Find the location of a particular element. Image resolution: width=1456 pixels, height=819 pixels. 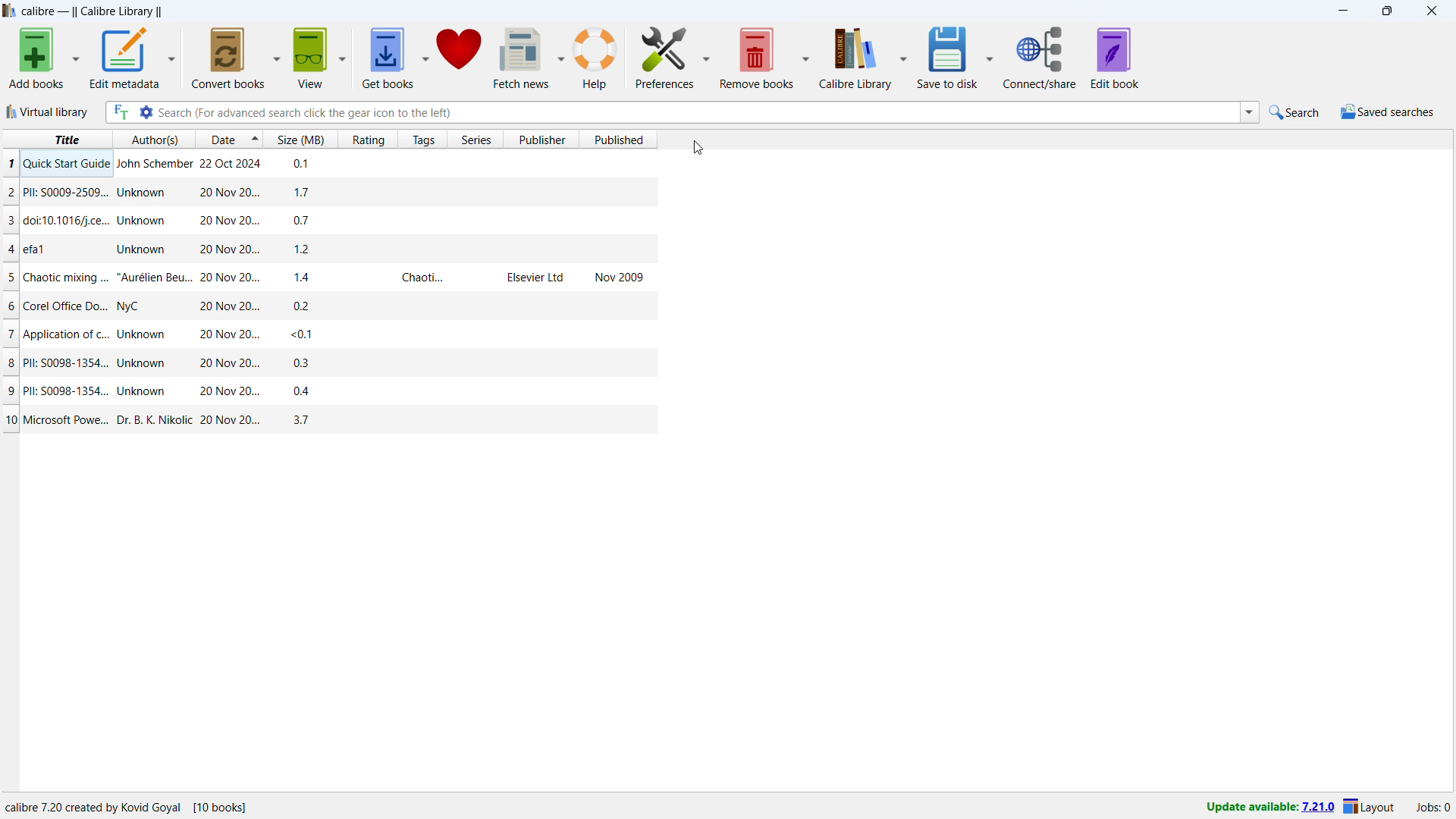

view is located at coordinates (310, 58).